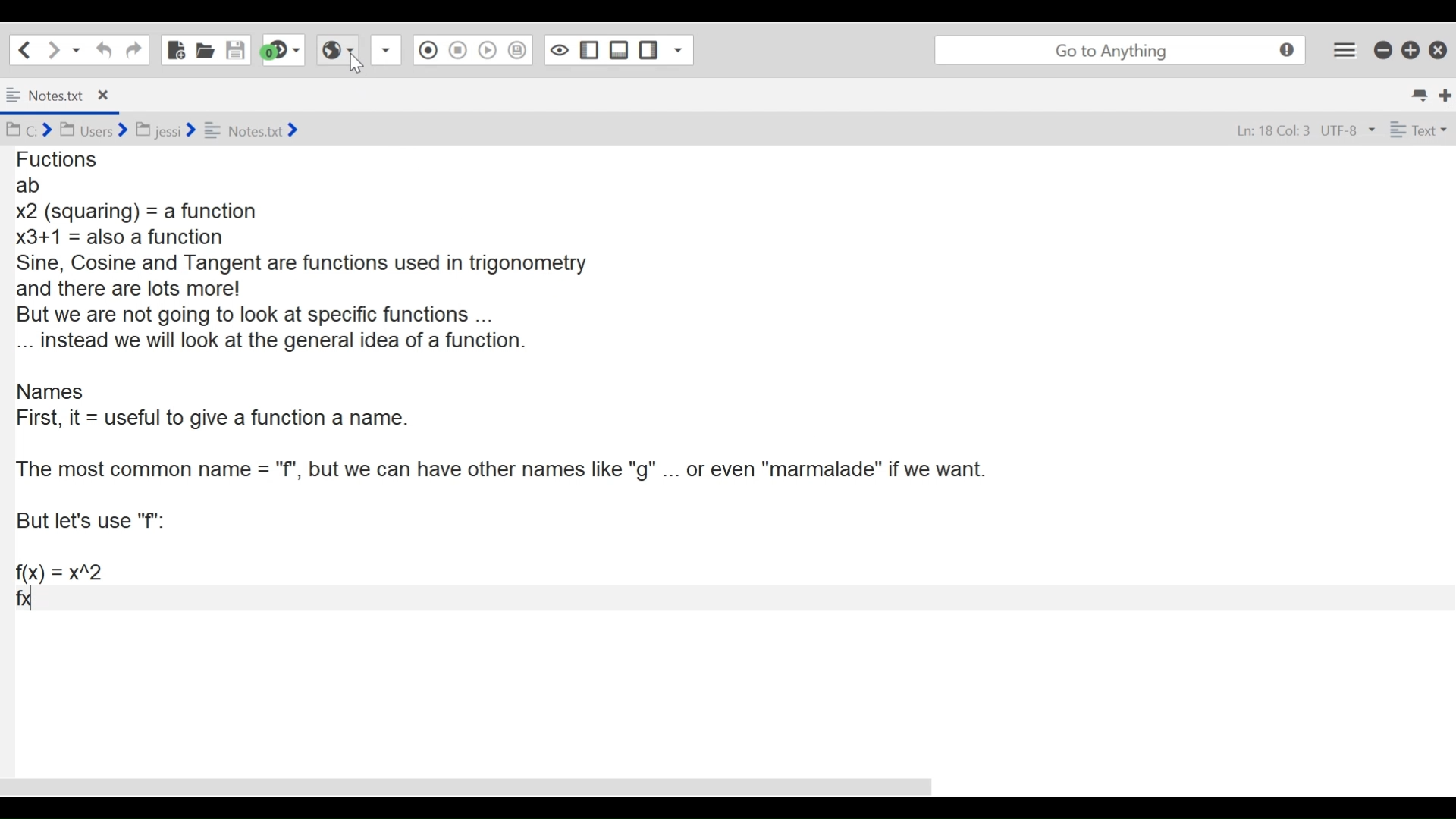  I want to click on go to anything, so click(1120, 49).